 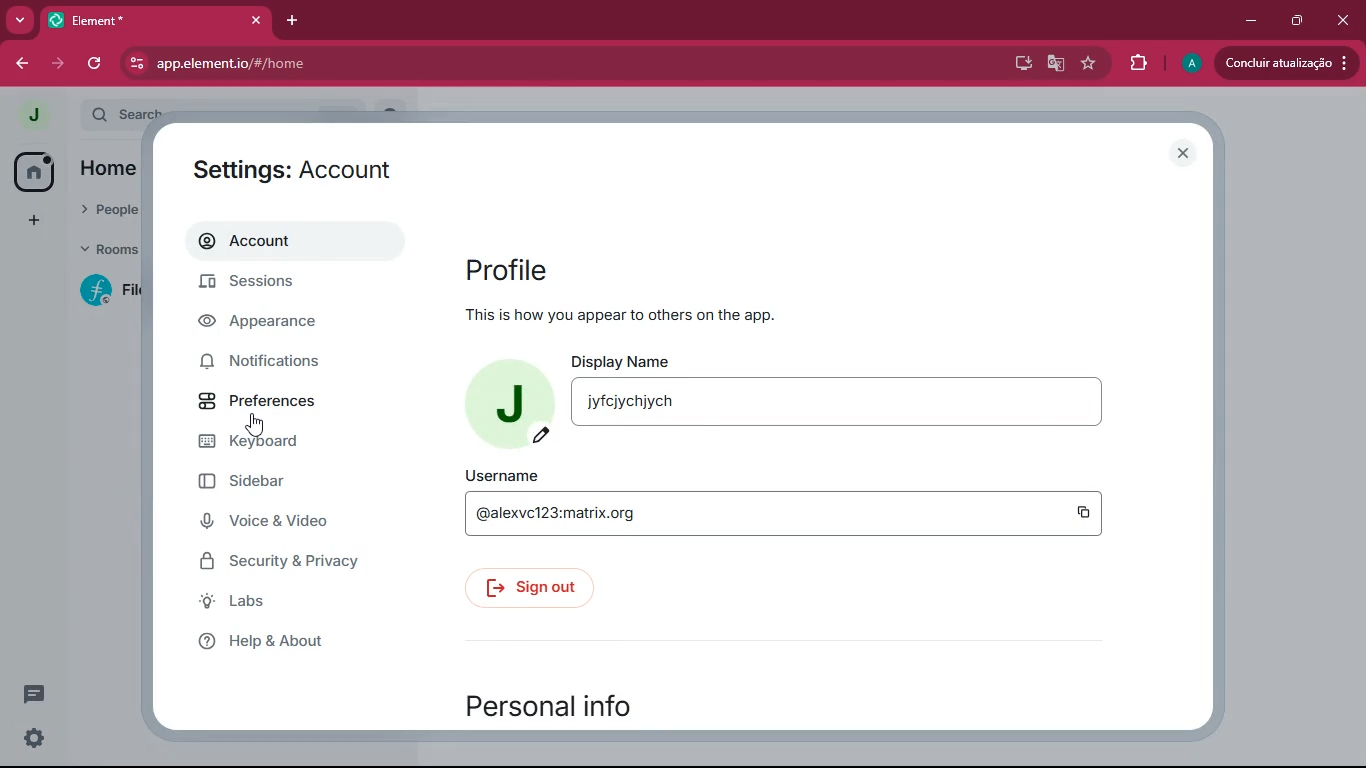 What do you see at coordinates (281, 400) in the screenshot?
I see `preferences` at bounding box center [281, 400].